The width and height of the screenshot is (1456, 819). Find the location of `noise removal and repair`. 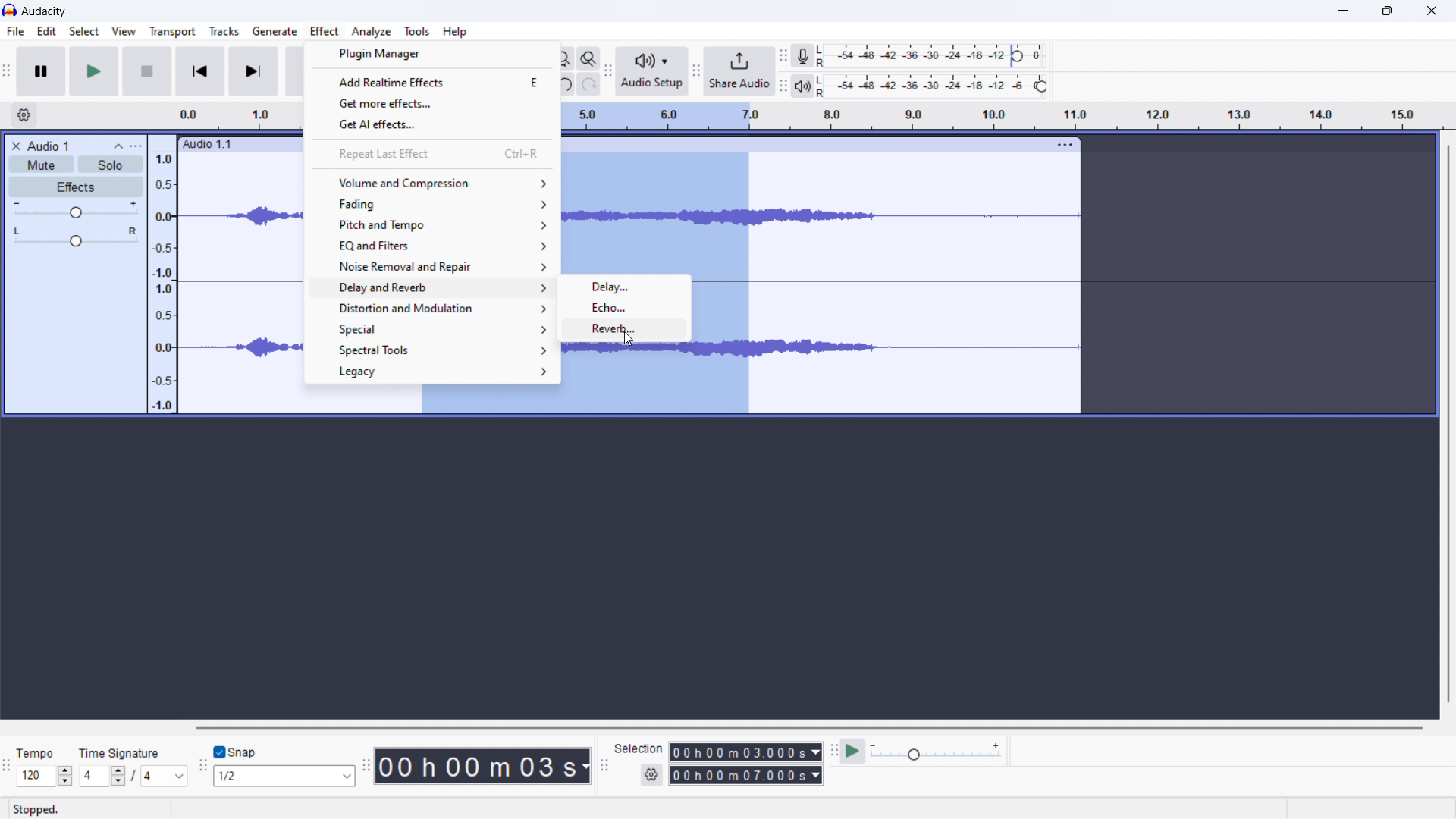

noise removal and repair is located at coordinates (431, 265).